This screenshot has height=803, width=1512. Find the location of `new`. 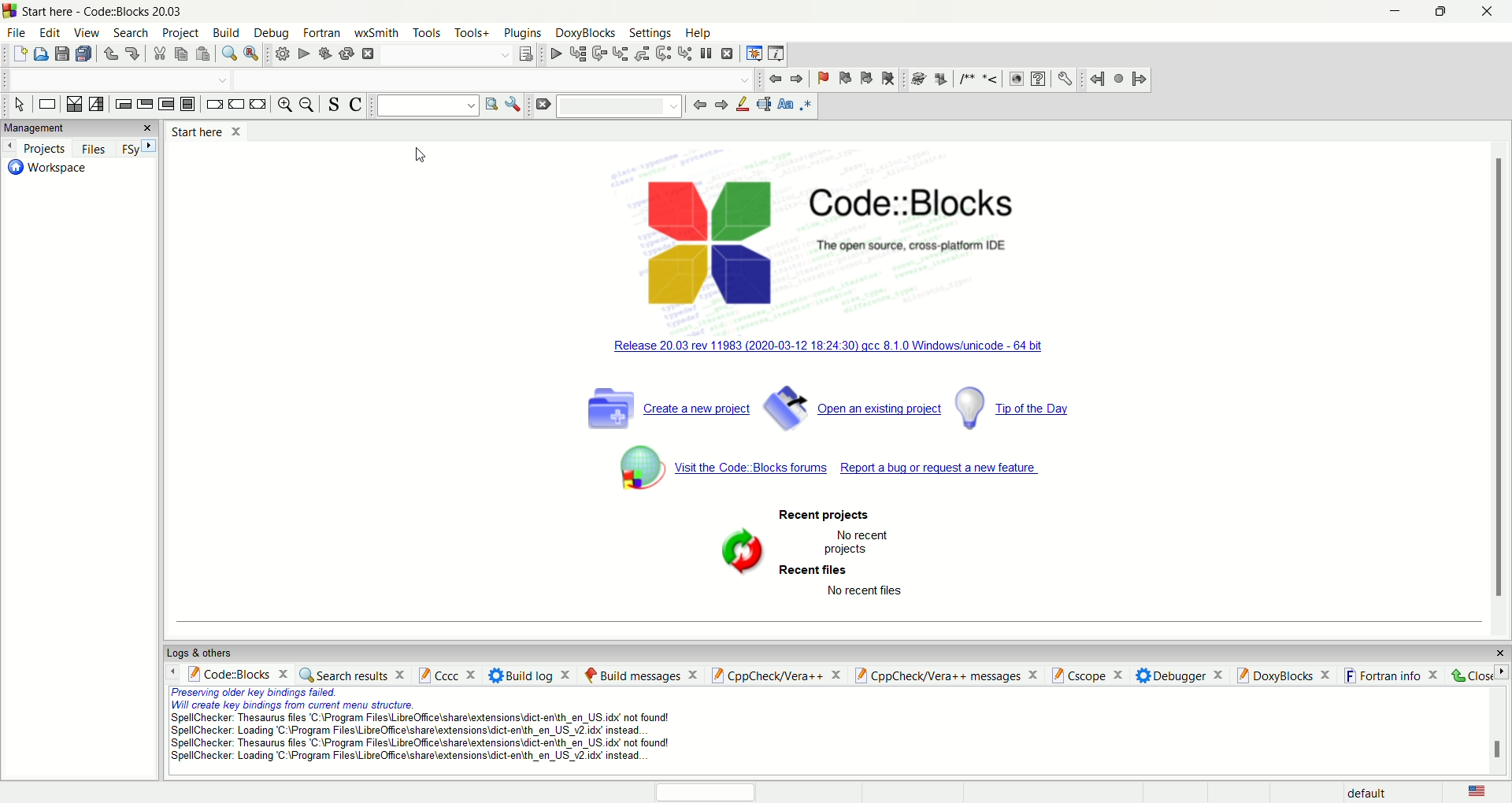

new is located at coordinates (20, 54).